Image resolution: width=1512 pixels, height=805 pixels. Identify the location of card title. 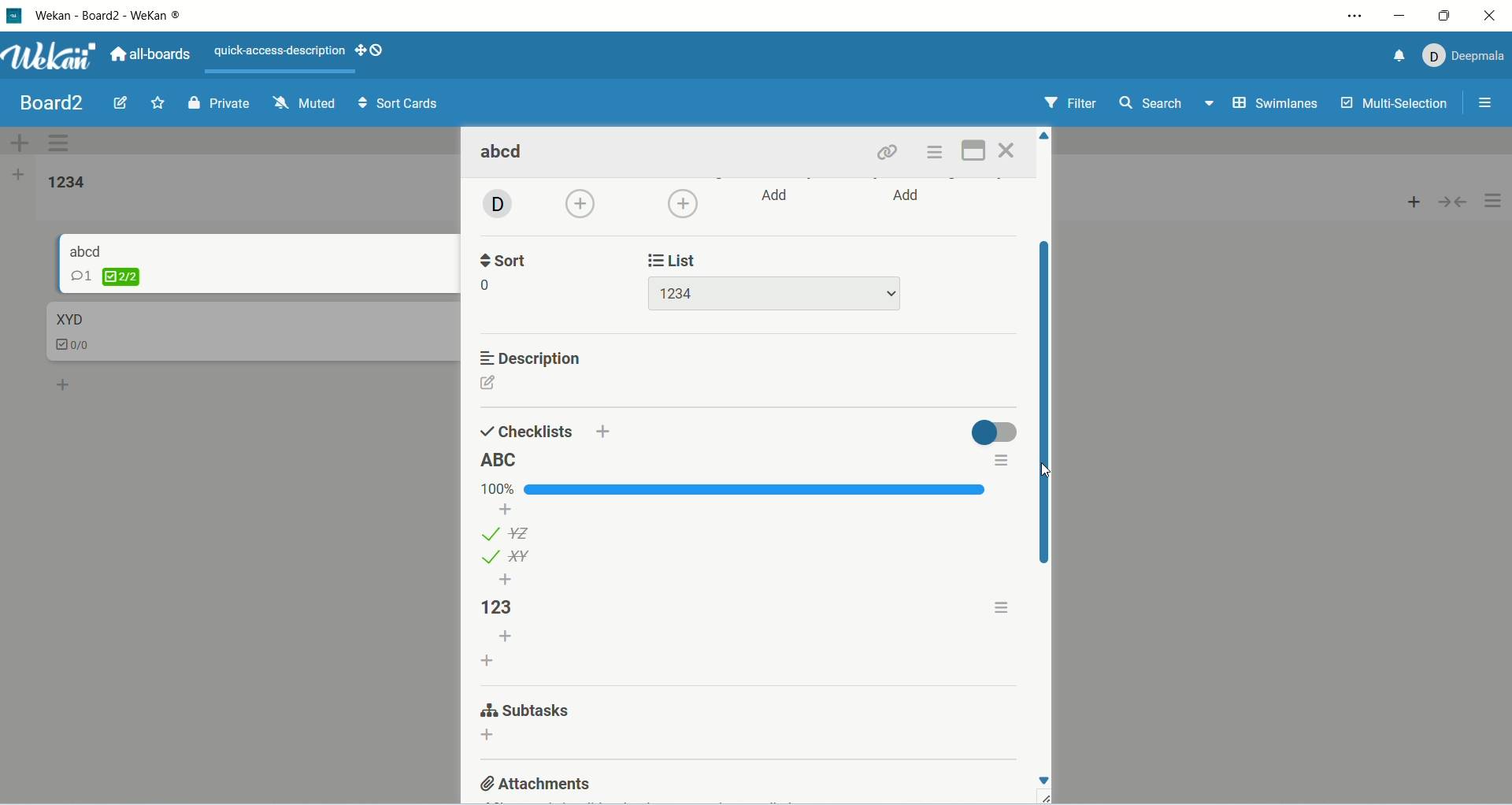
(69, 318).